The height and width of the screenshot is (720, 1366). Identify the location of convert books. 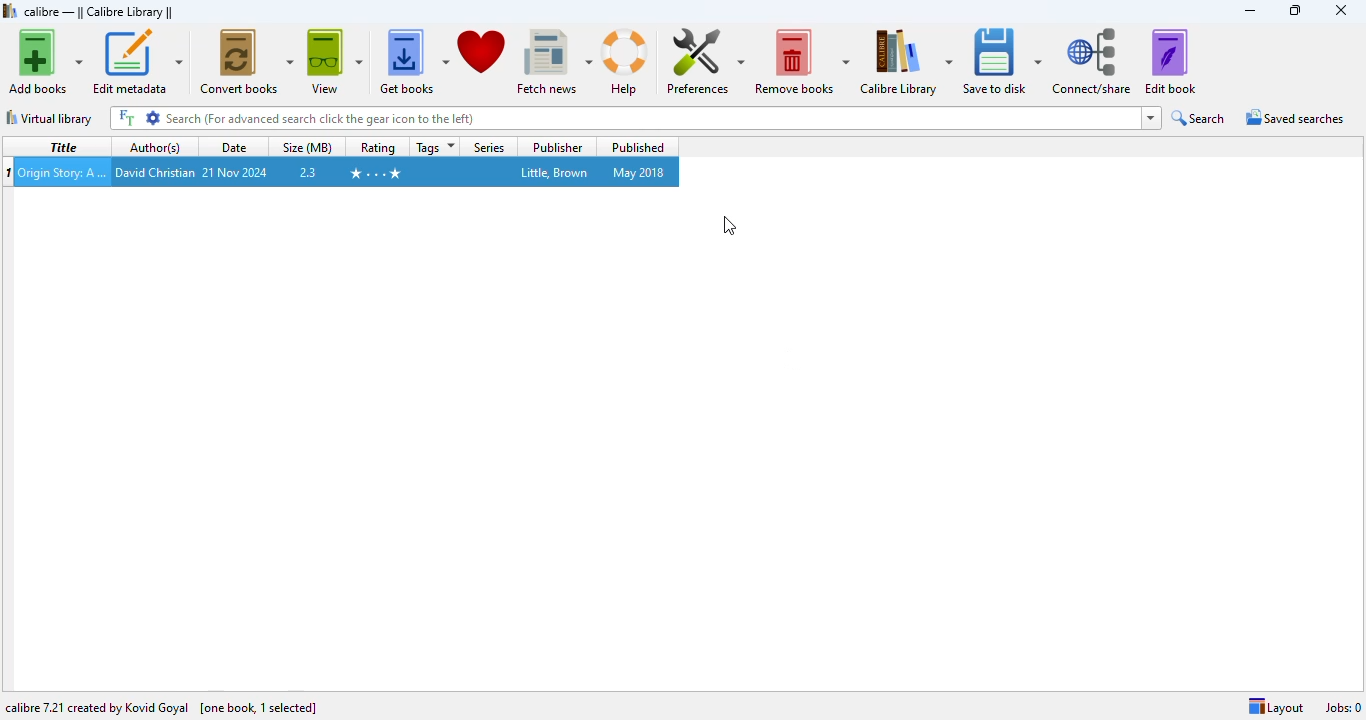
(245, 61).